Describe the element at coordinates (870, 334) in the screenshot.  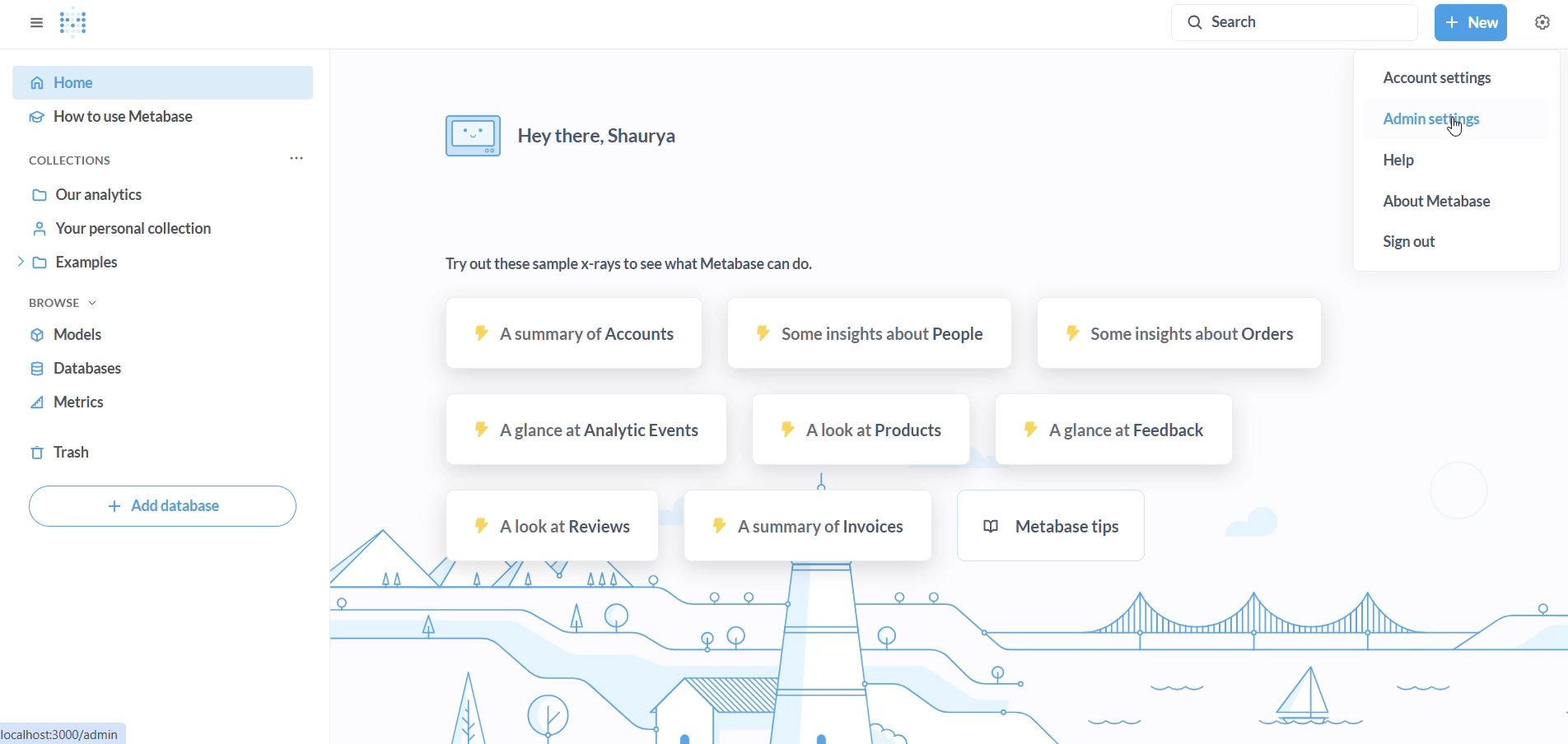
I see `Some insights about People` at that location.